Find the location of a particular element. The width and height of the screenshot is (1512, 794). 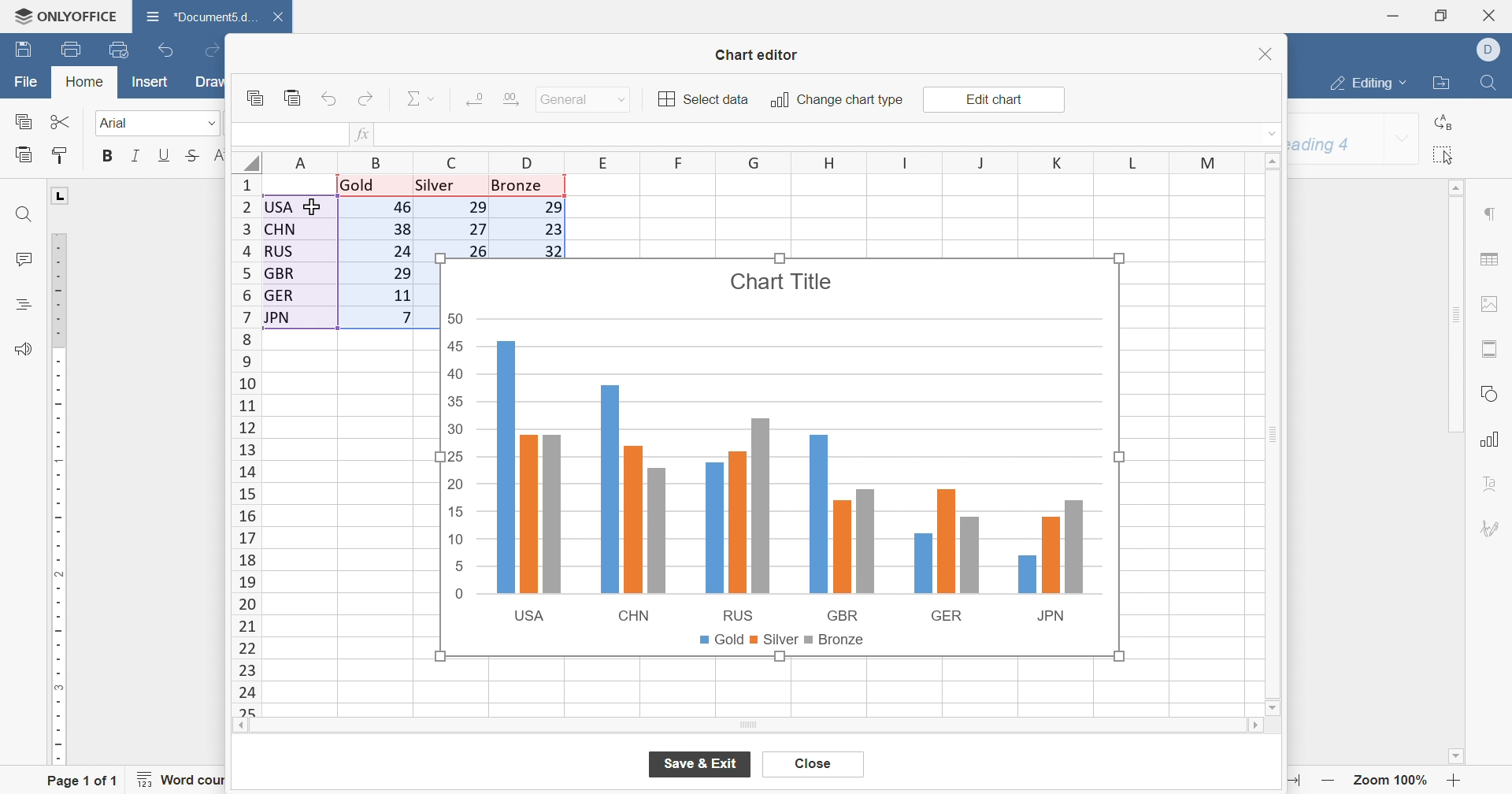

drop down is located at coordinates (623, 100).